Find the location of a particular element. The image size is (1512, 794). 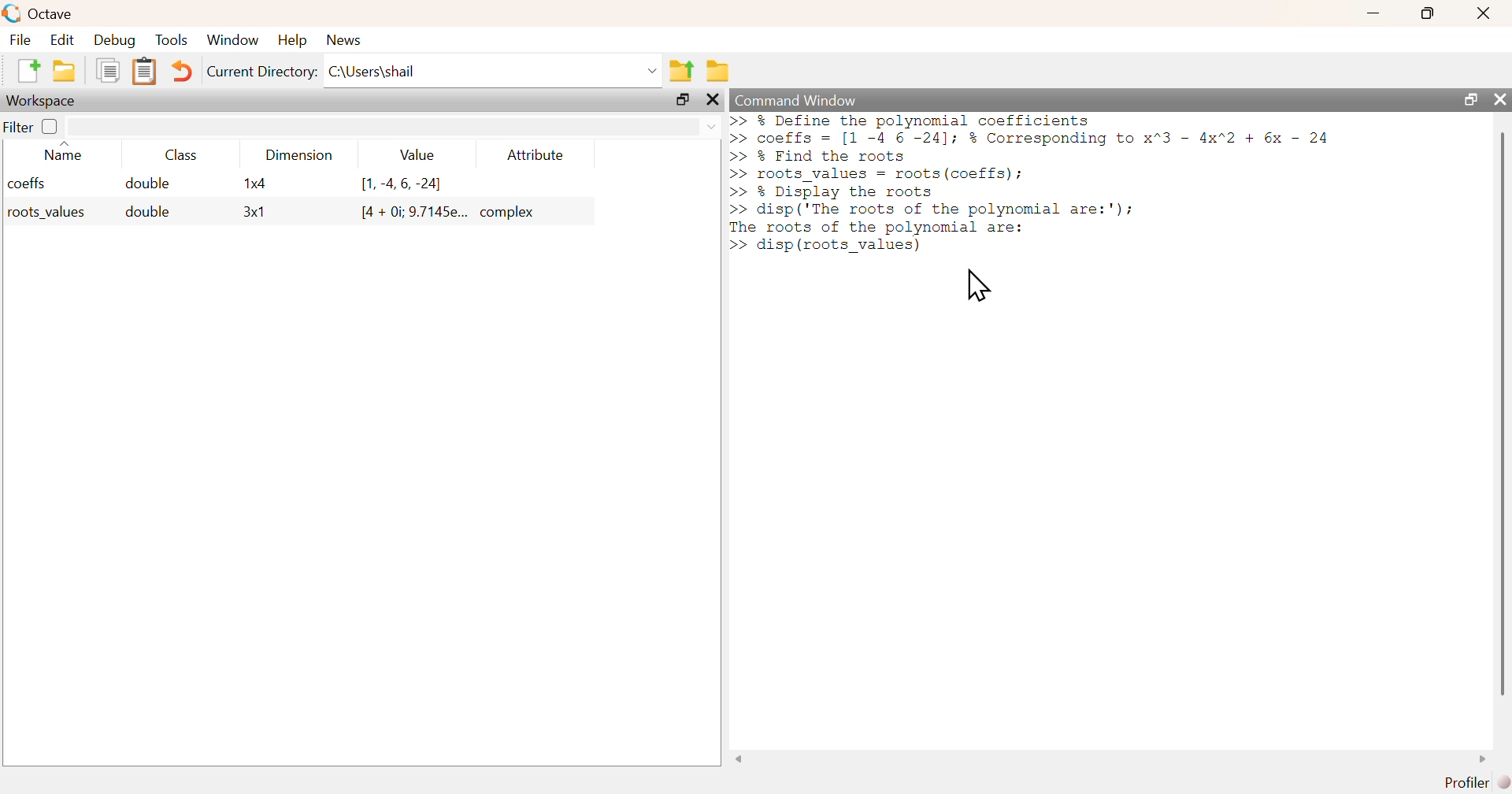

Profiler is located at coordinates (1473, 781).